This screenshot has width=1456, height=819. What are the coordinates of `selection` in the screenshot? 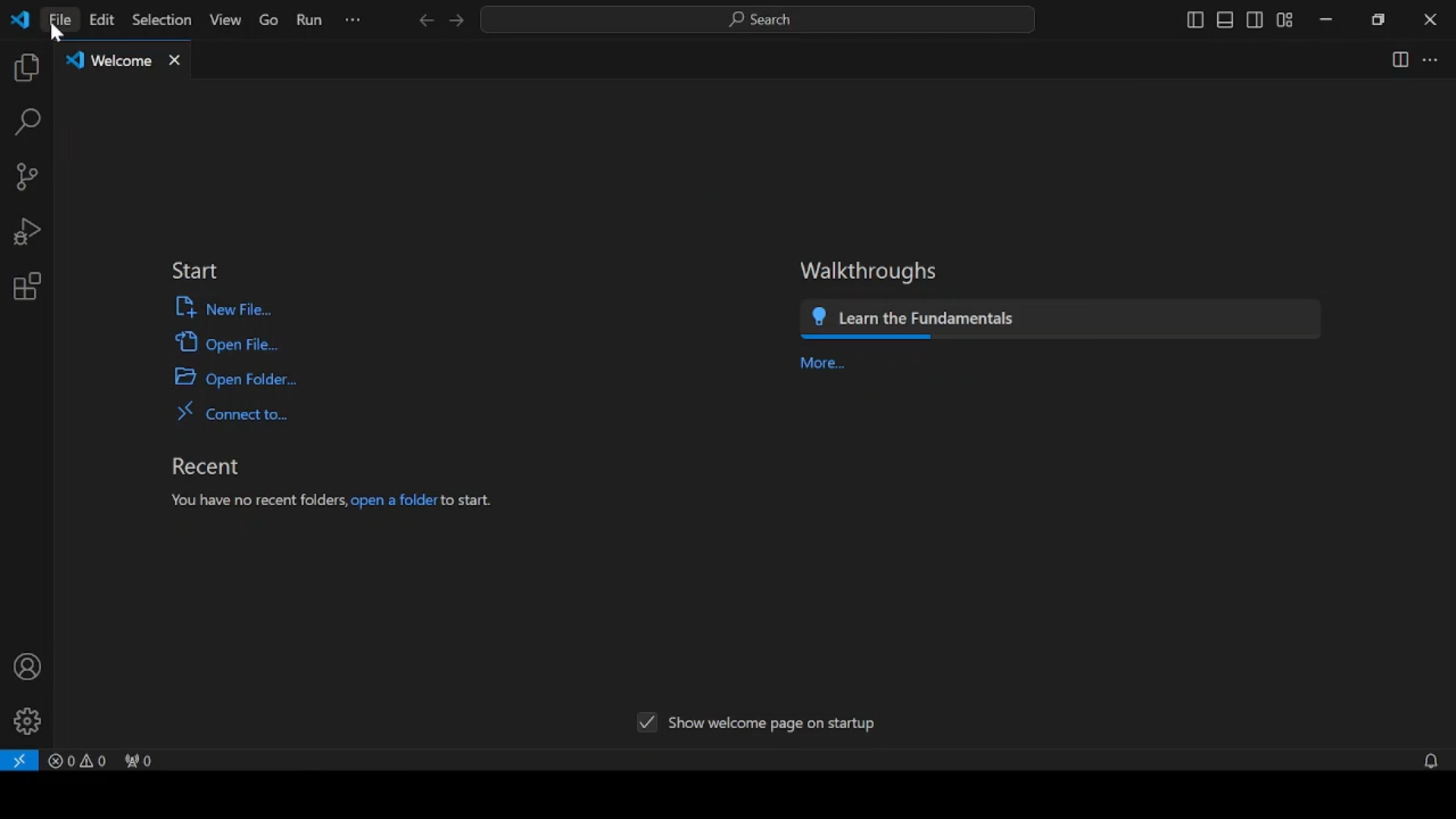 It's located at (163, 20).